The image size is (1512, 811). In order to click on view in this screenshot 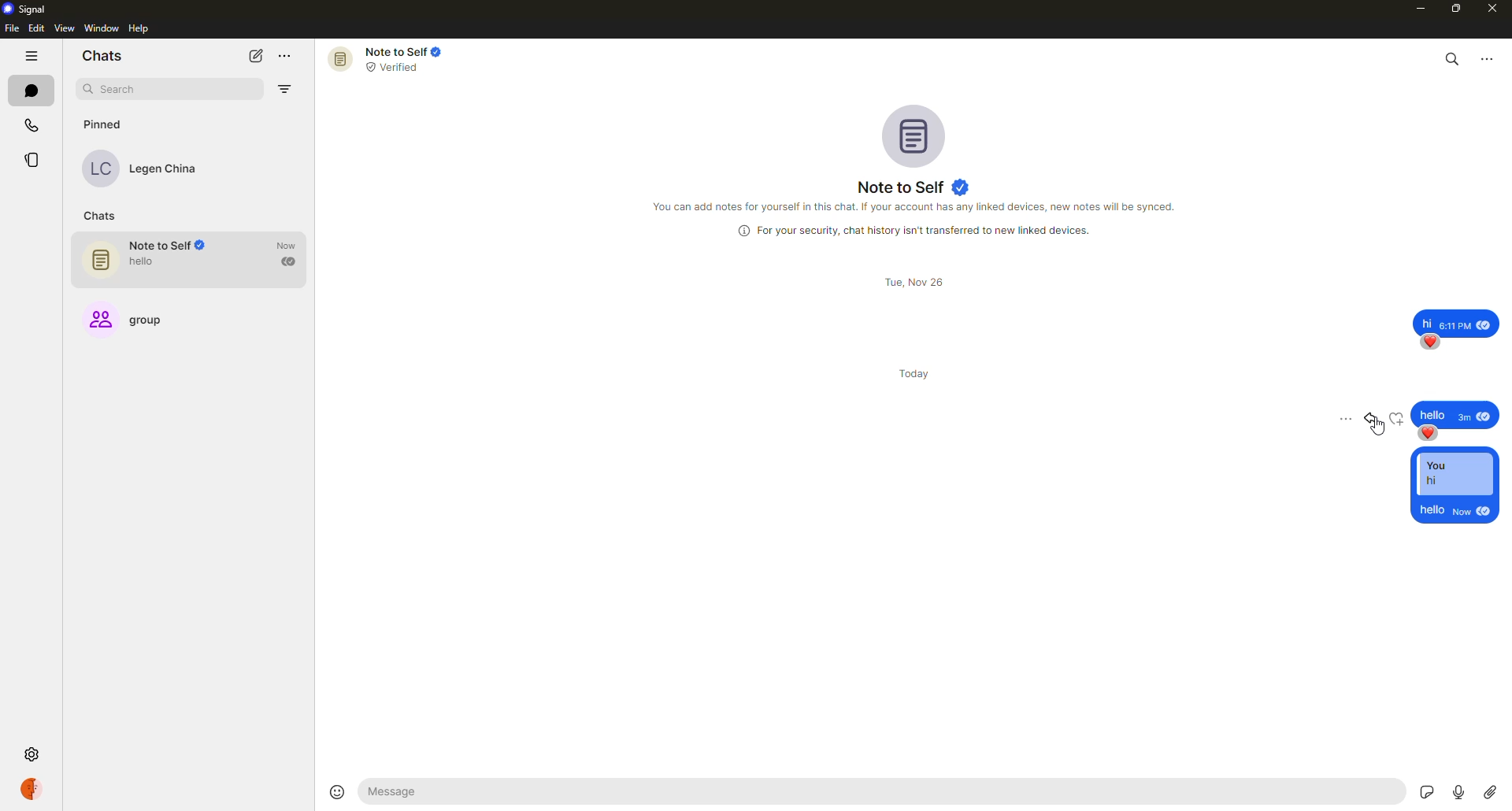, I will do `click(62, 28)`.